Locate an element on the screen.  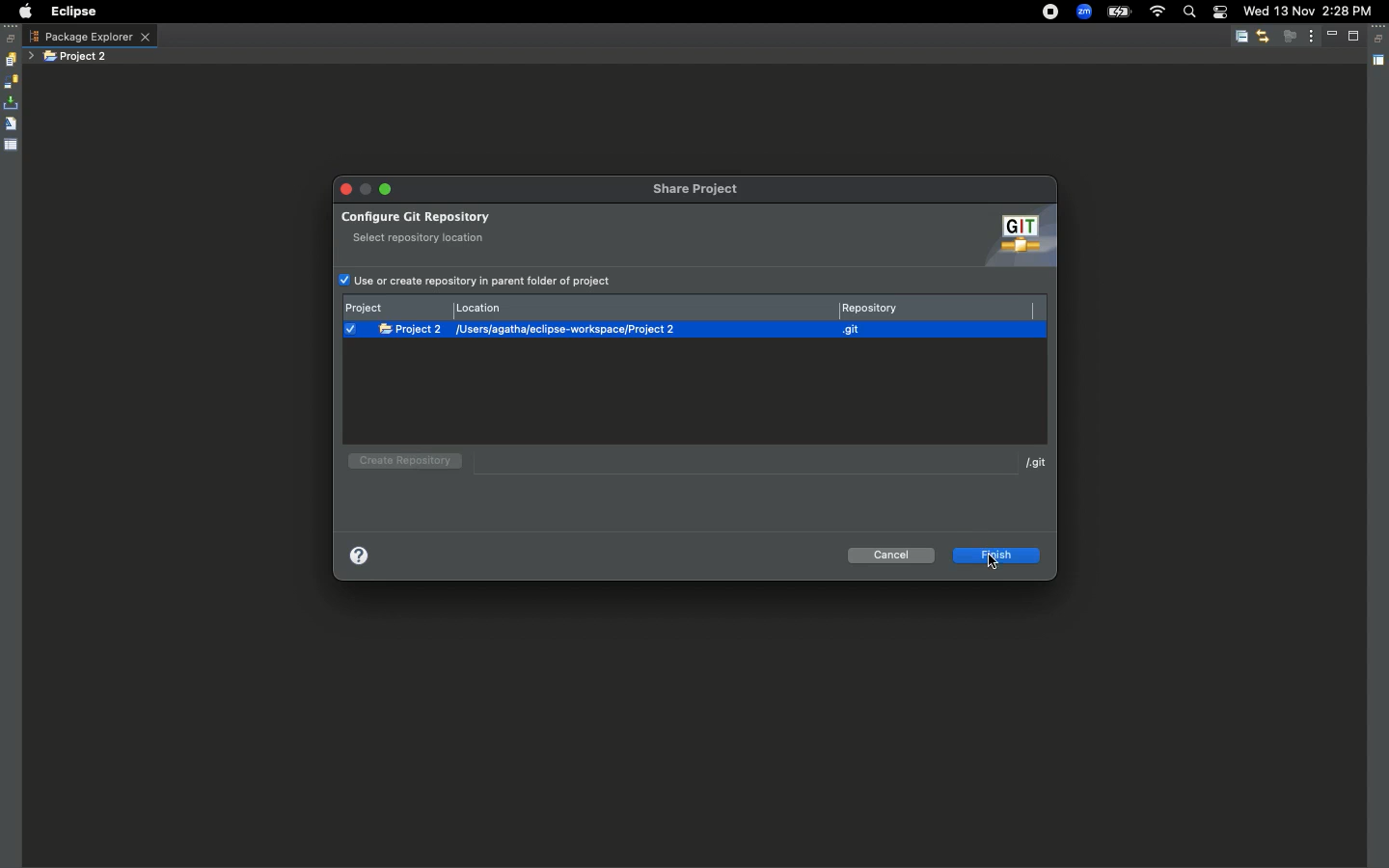
Project  is located at coordinates (396, 309).